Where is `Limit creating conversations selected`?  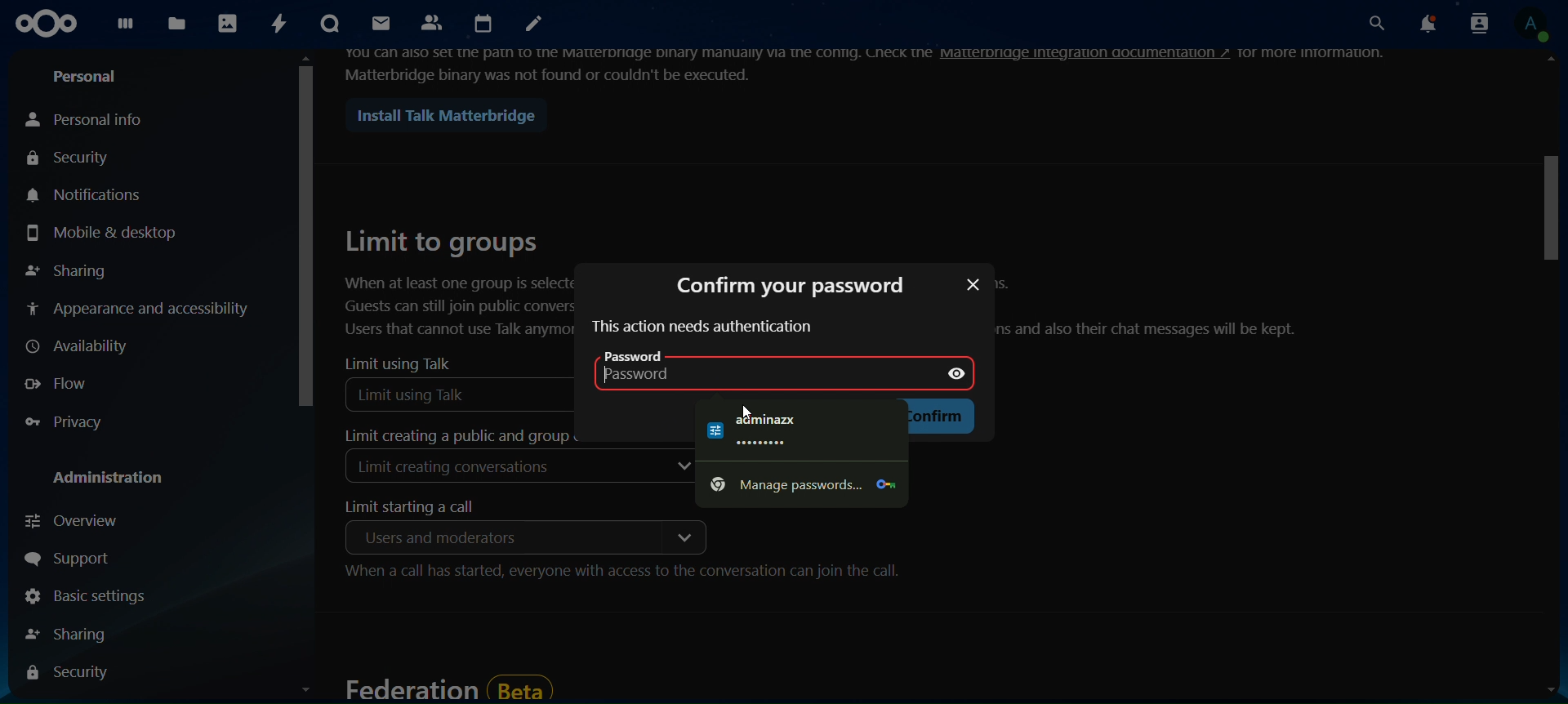
Limit creating conversations selected is located at coordinates (459, 470).